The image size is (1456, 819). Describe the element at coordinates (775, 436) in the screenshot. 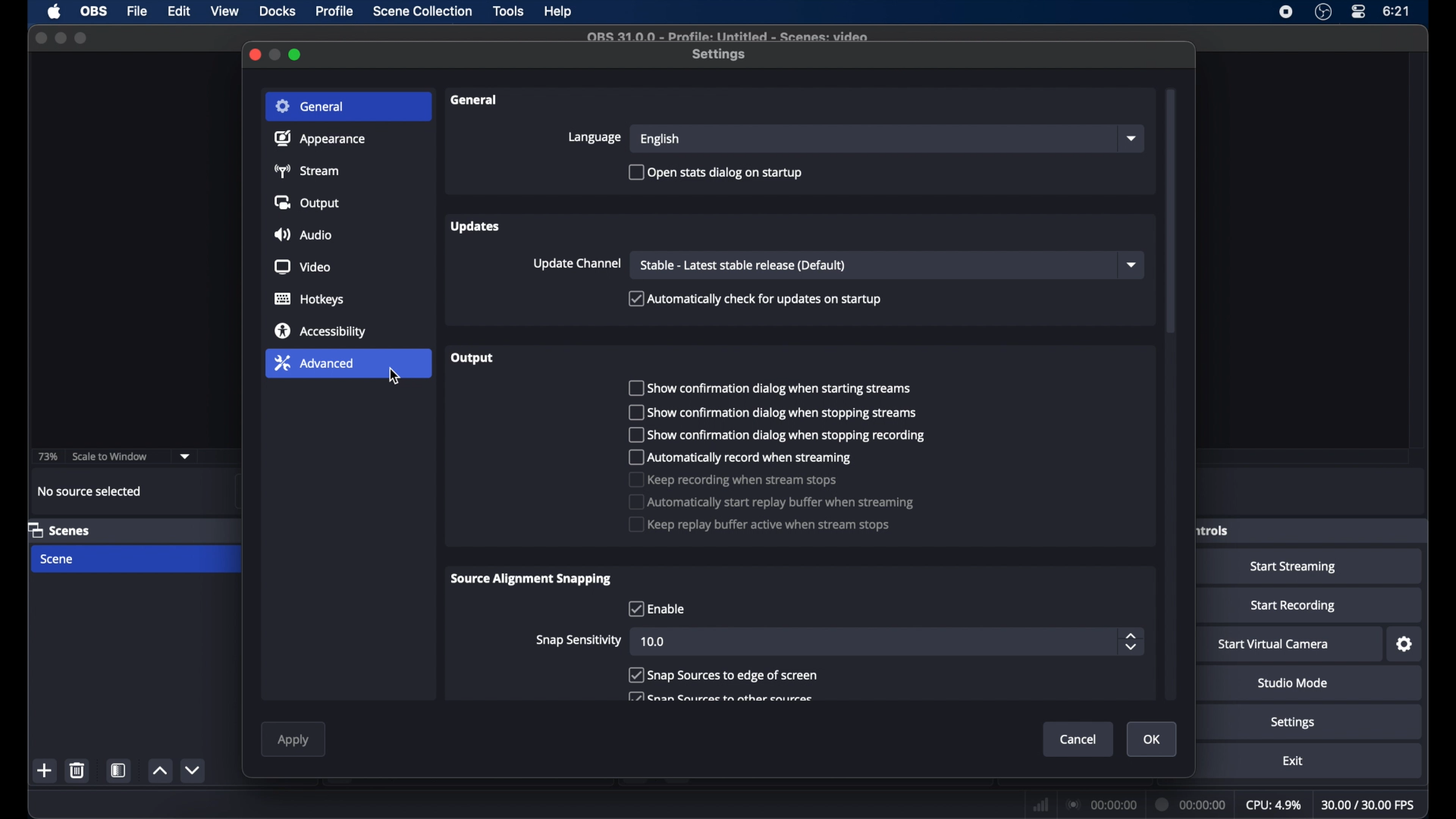

I see `[") show confirmation dialog when stopping recording` at that location.